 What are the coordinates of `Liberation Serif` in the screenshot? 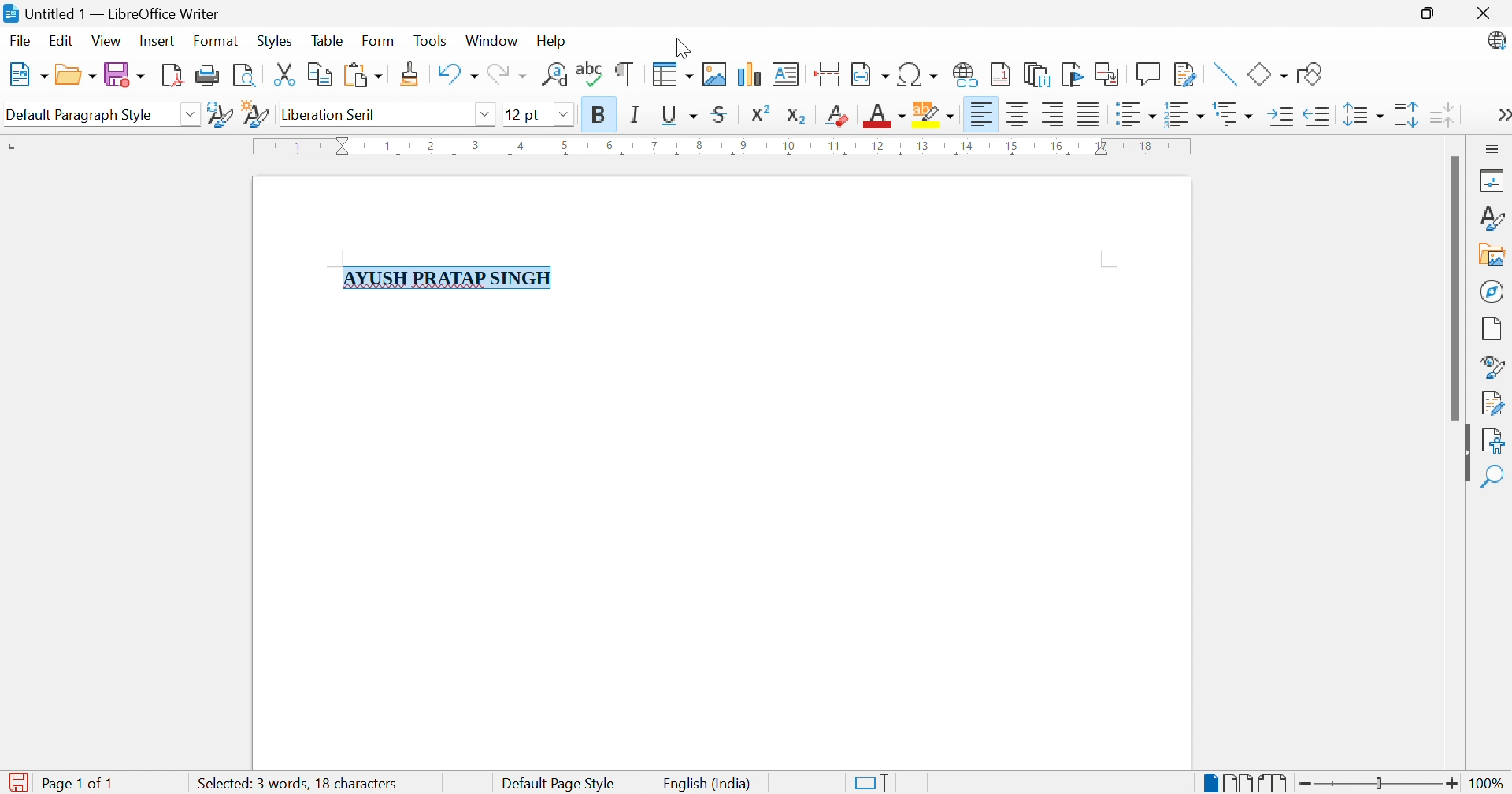 It's located at (332, 115).